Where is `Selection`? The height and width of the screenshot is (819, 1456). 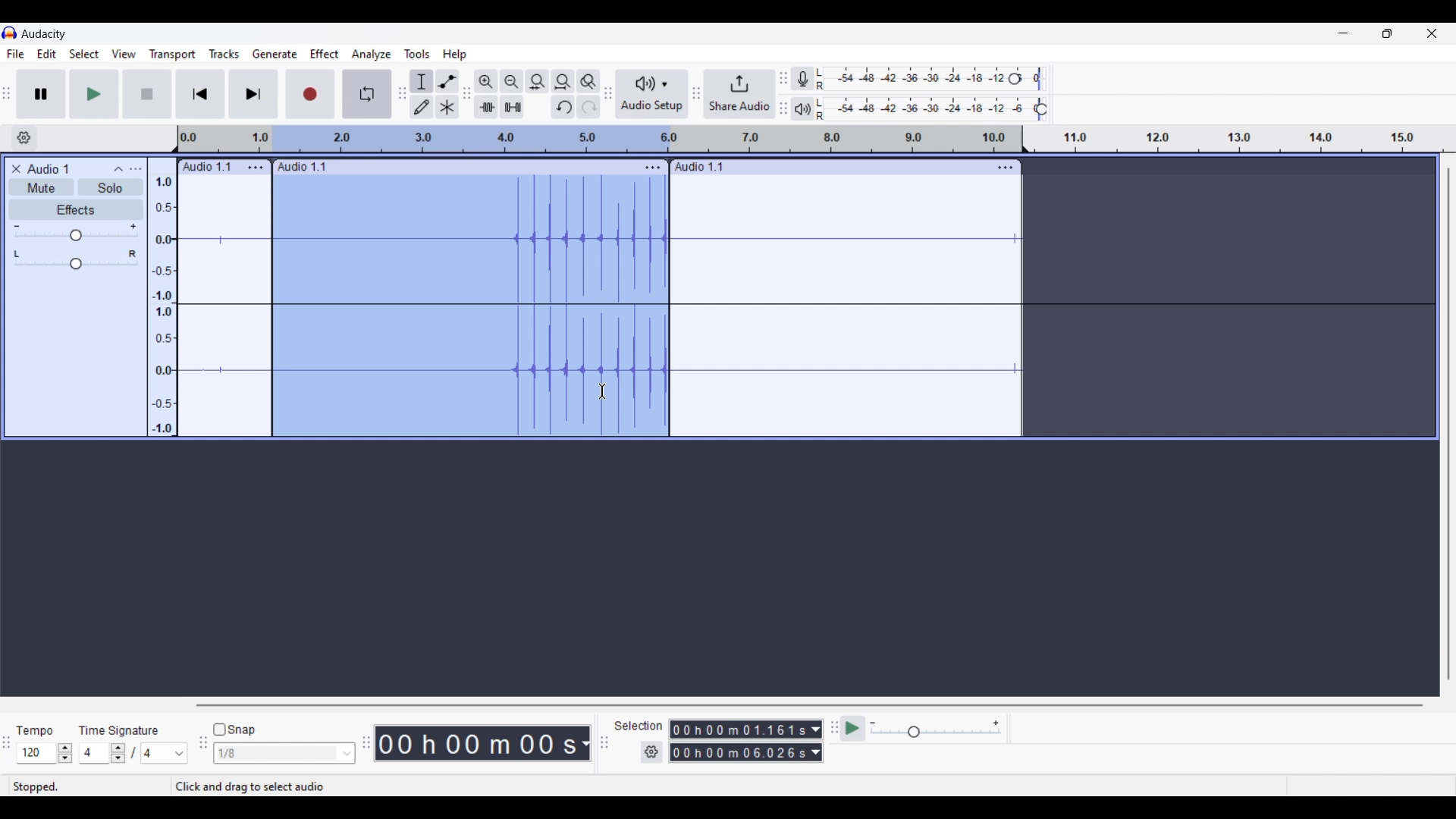 Selection is located at coordinates (639, 726).